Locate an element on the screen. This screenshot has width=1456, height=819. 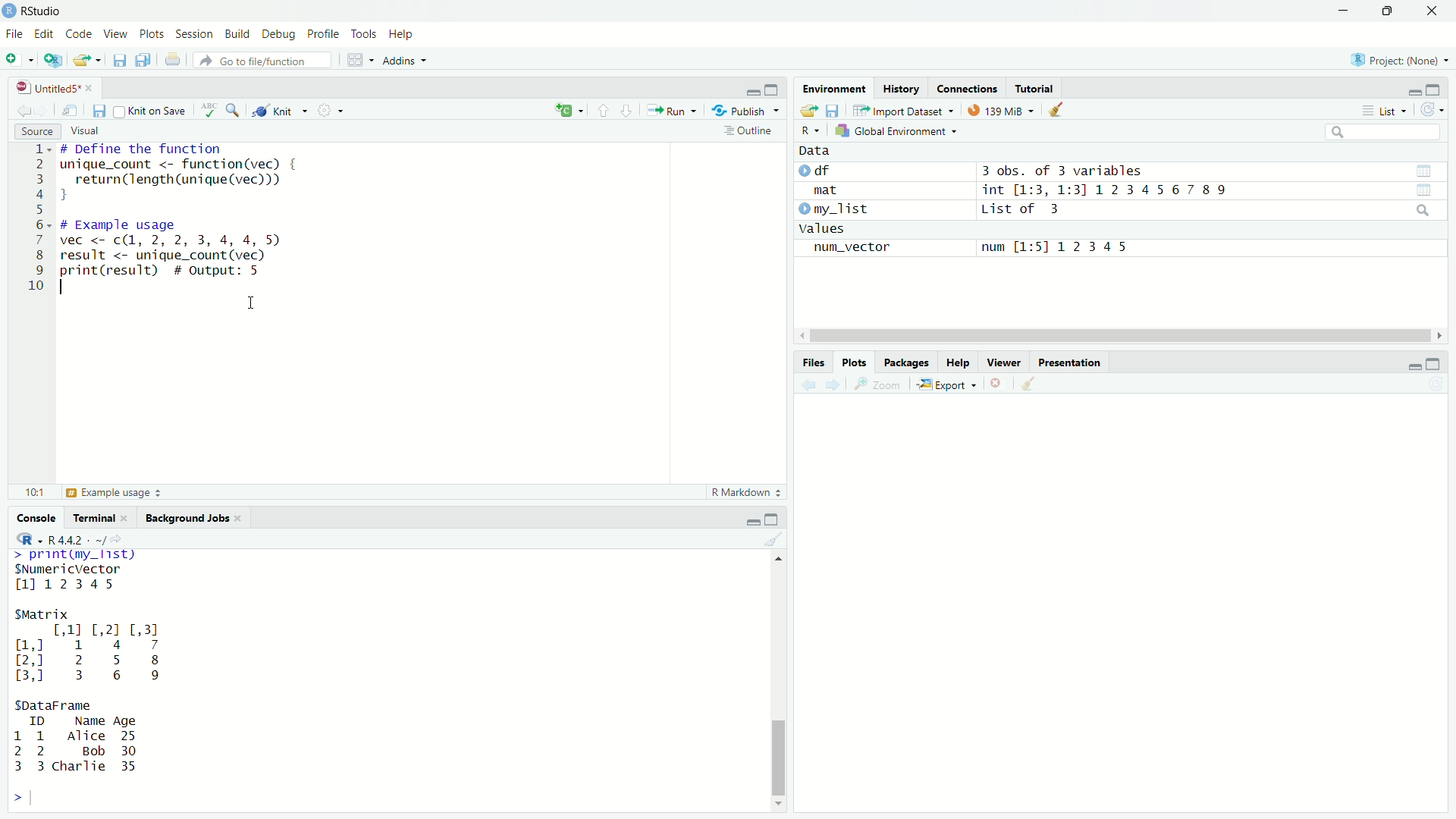
Example Usage is located at coordinates (112, 492).